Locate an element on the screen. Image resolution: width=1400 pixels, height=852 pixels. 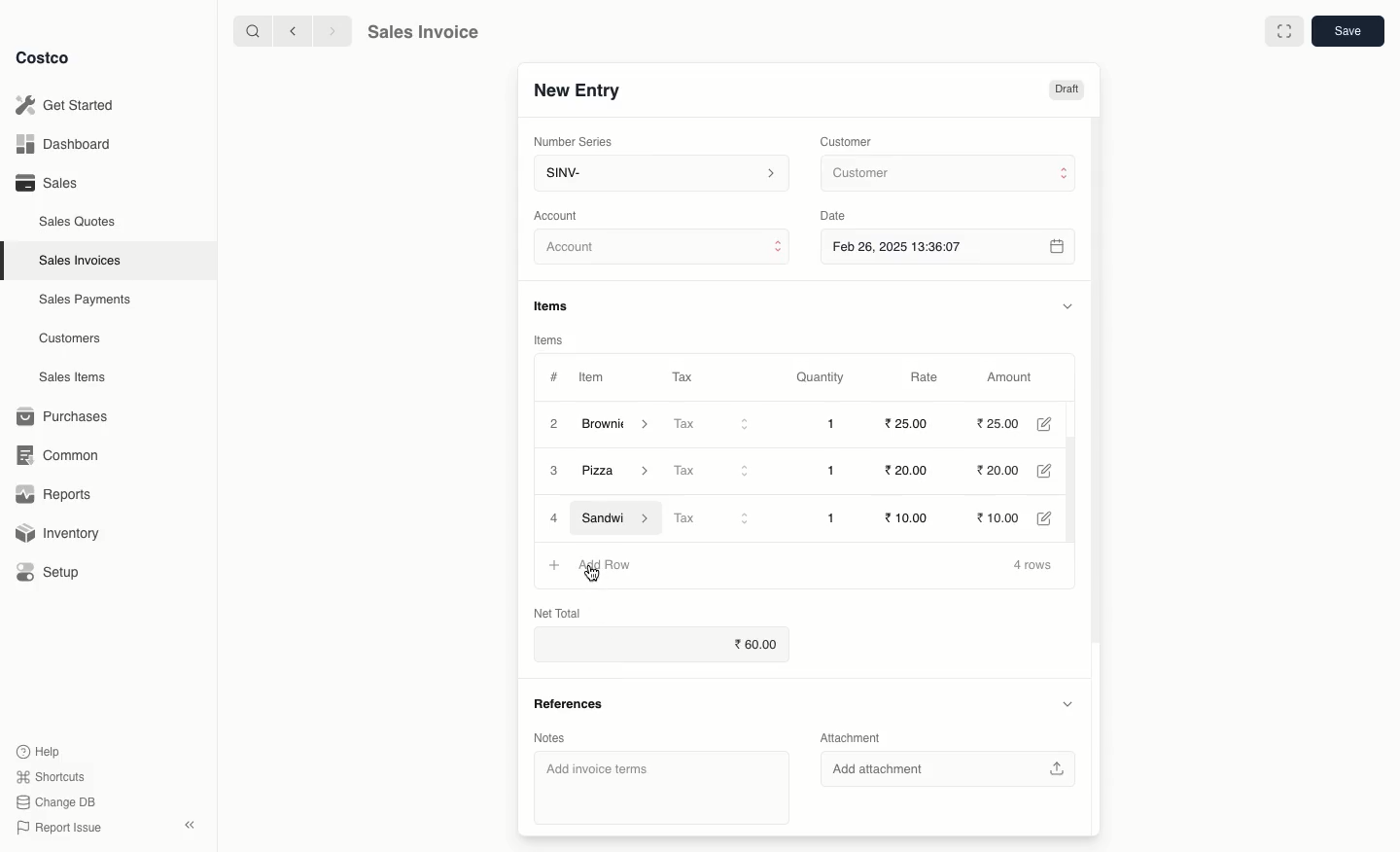
25.00 is located at coordinates (1000, 424).